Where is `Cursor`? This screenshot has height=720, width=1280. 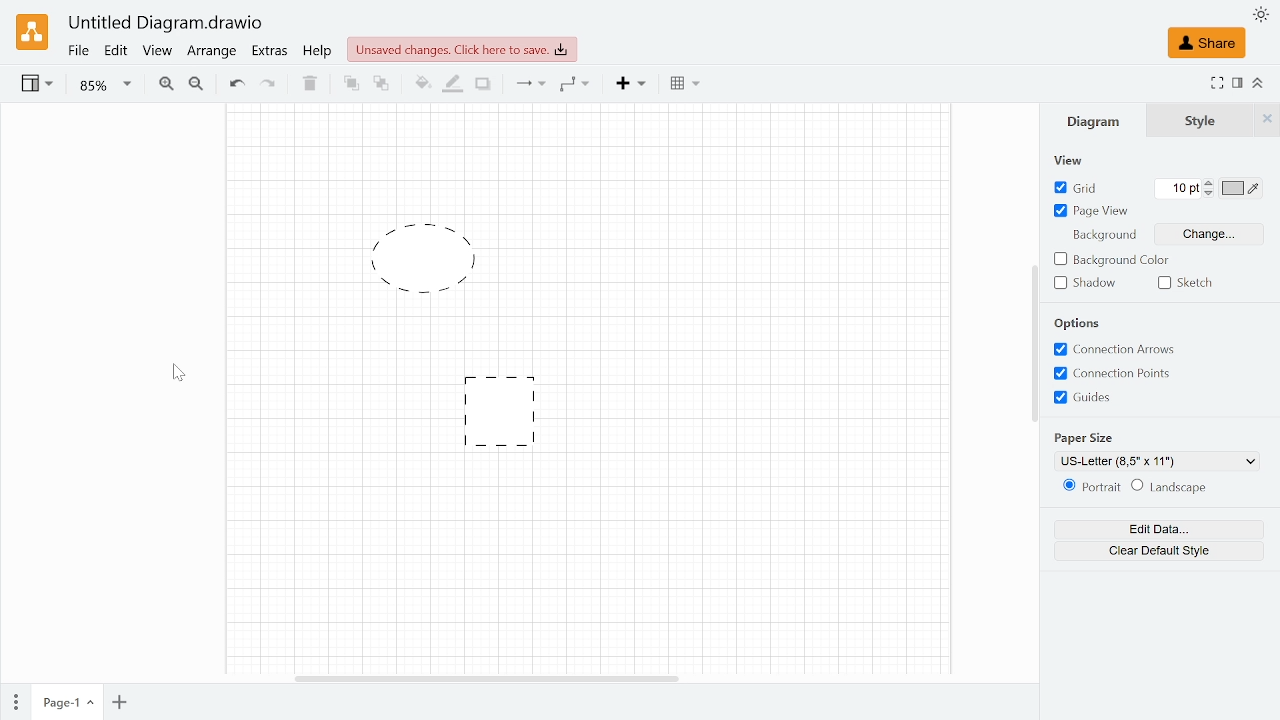
Cursor is located at coordinates (178, 373).